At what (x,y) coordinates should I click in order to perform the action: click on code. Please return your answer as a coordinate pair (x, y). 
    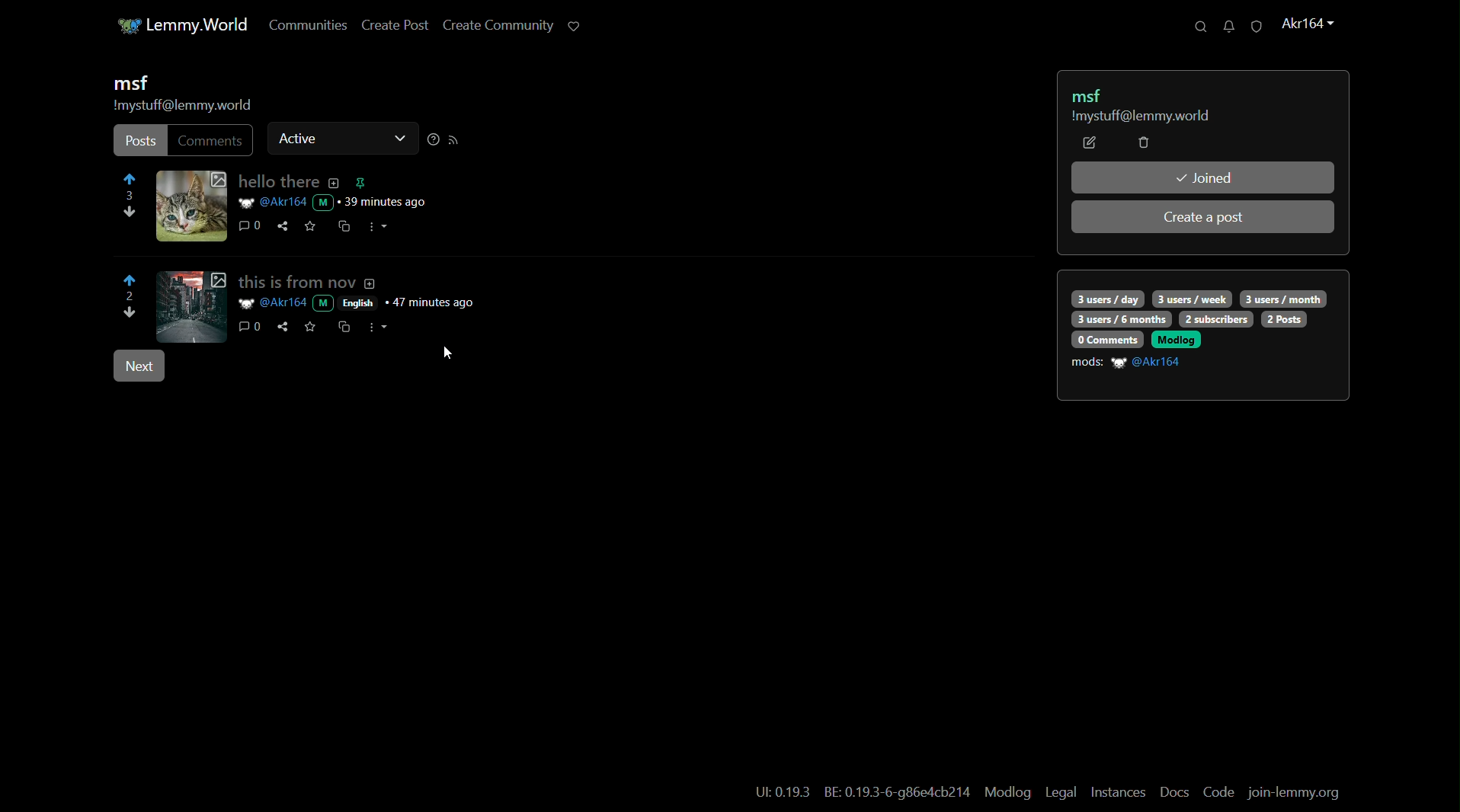
    Looking at the image, I should click on (1218, 793).